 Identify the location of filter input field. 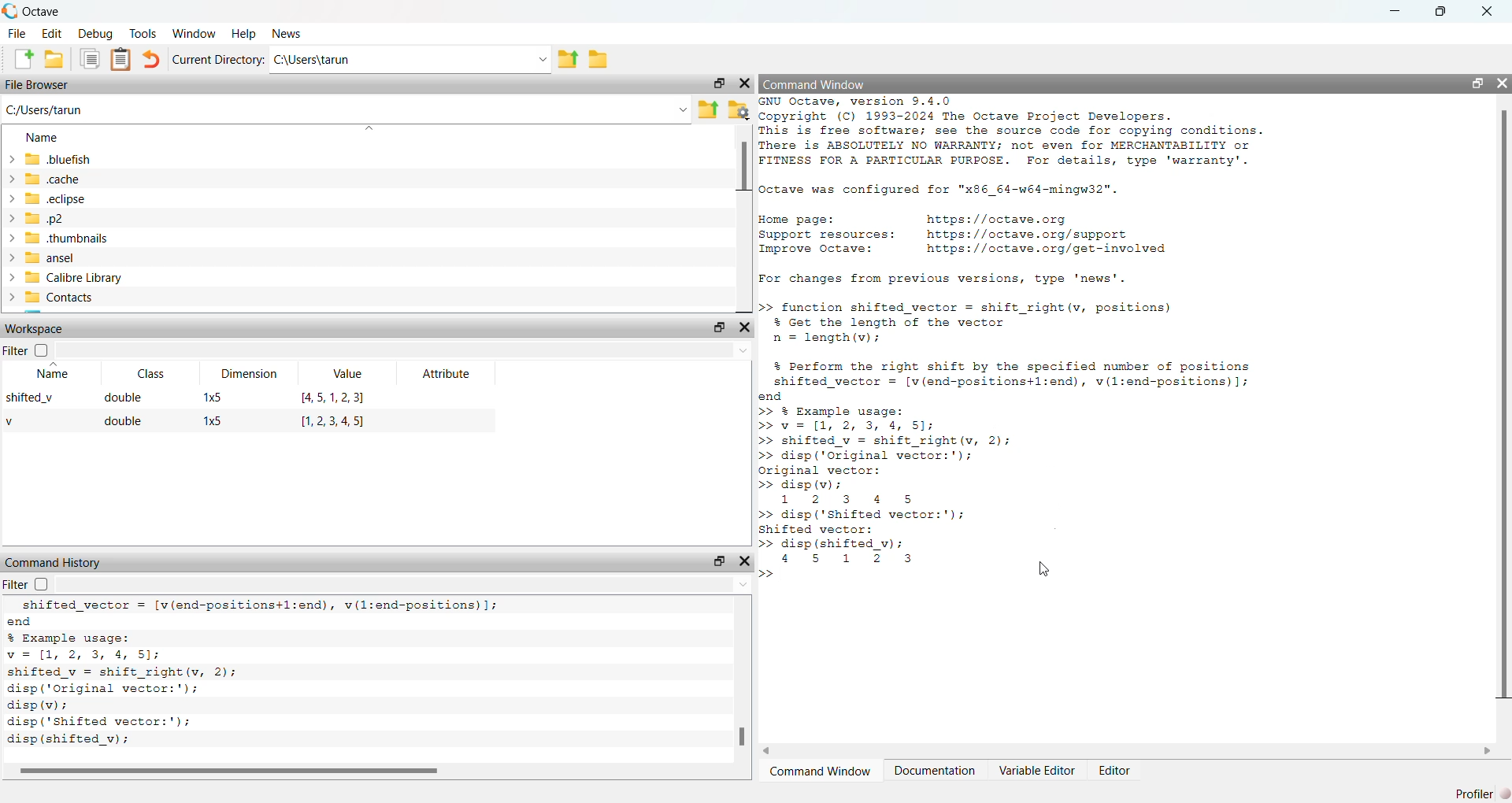
(406, 587).